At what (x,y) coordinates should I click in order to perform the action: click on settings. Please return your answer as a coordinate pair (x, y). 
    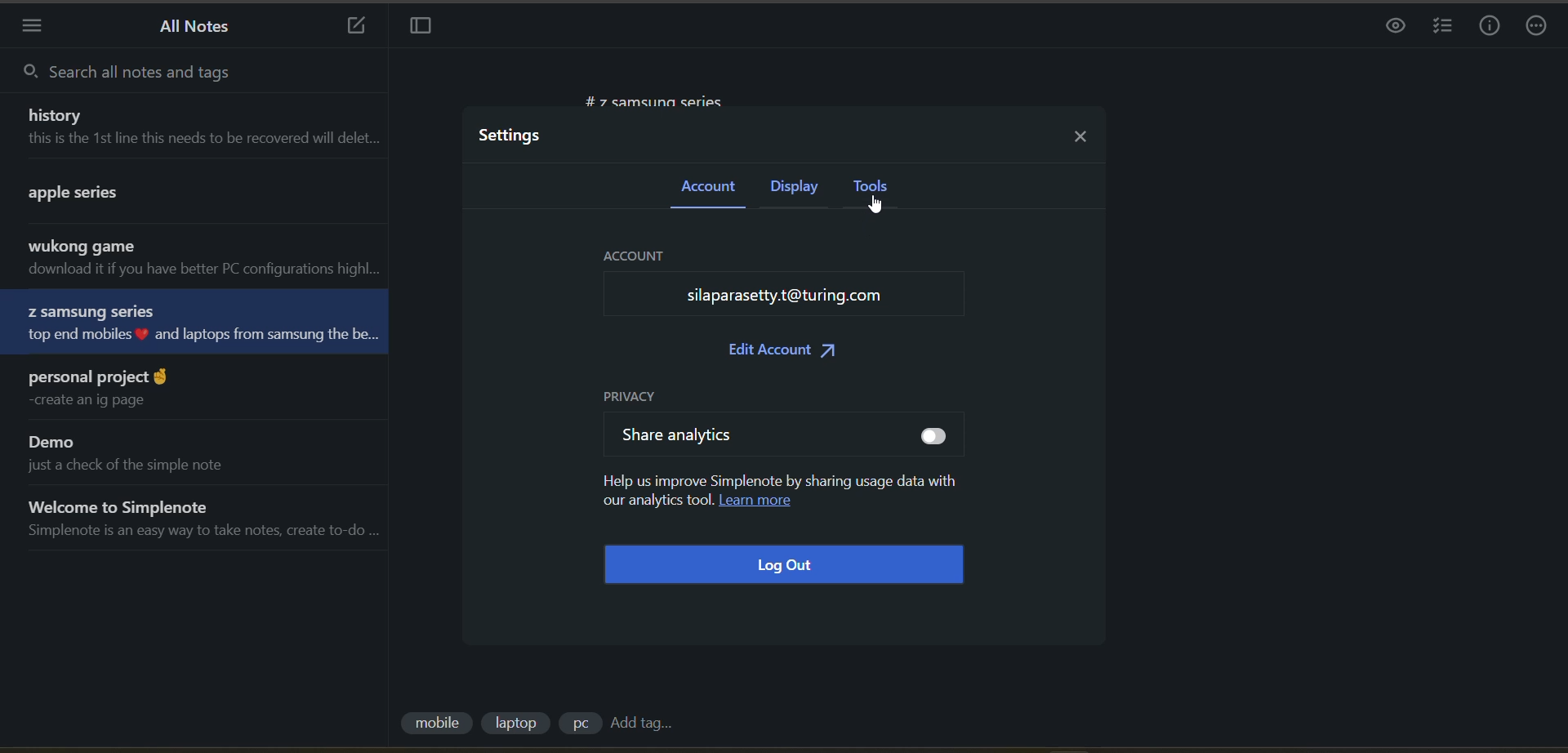
    Looking at the image, I should click on (513, 136).